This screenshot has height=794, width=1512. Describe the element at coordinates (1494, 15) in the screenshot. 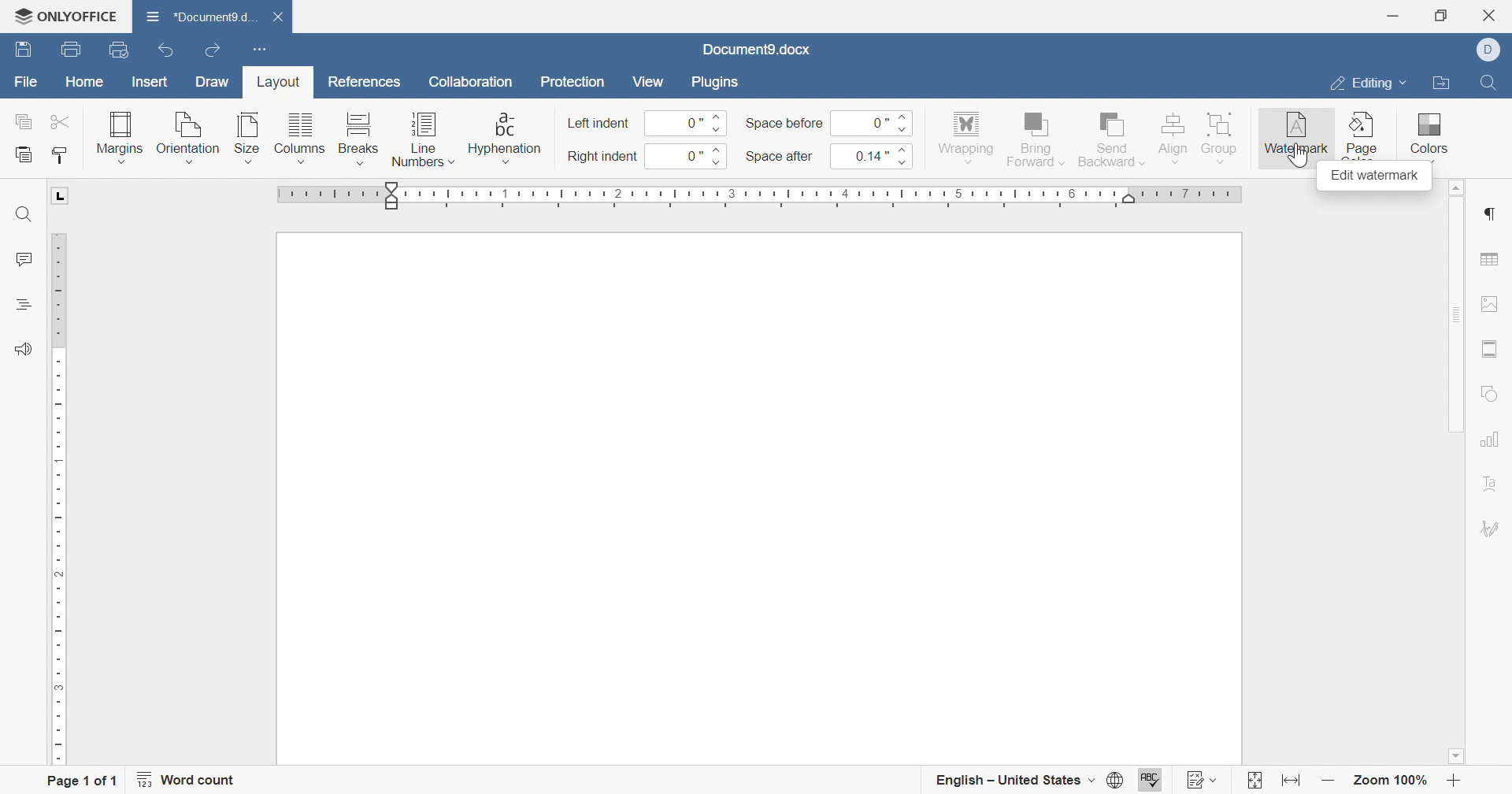

I see `close` at that location.